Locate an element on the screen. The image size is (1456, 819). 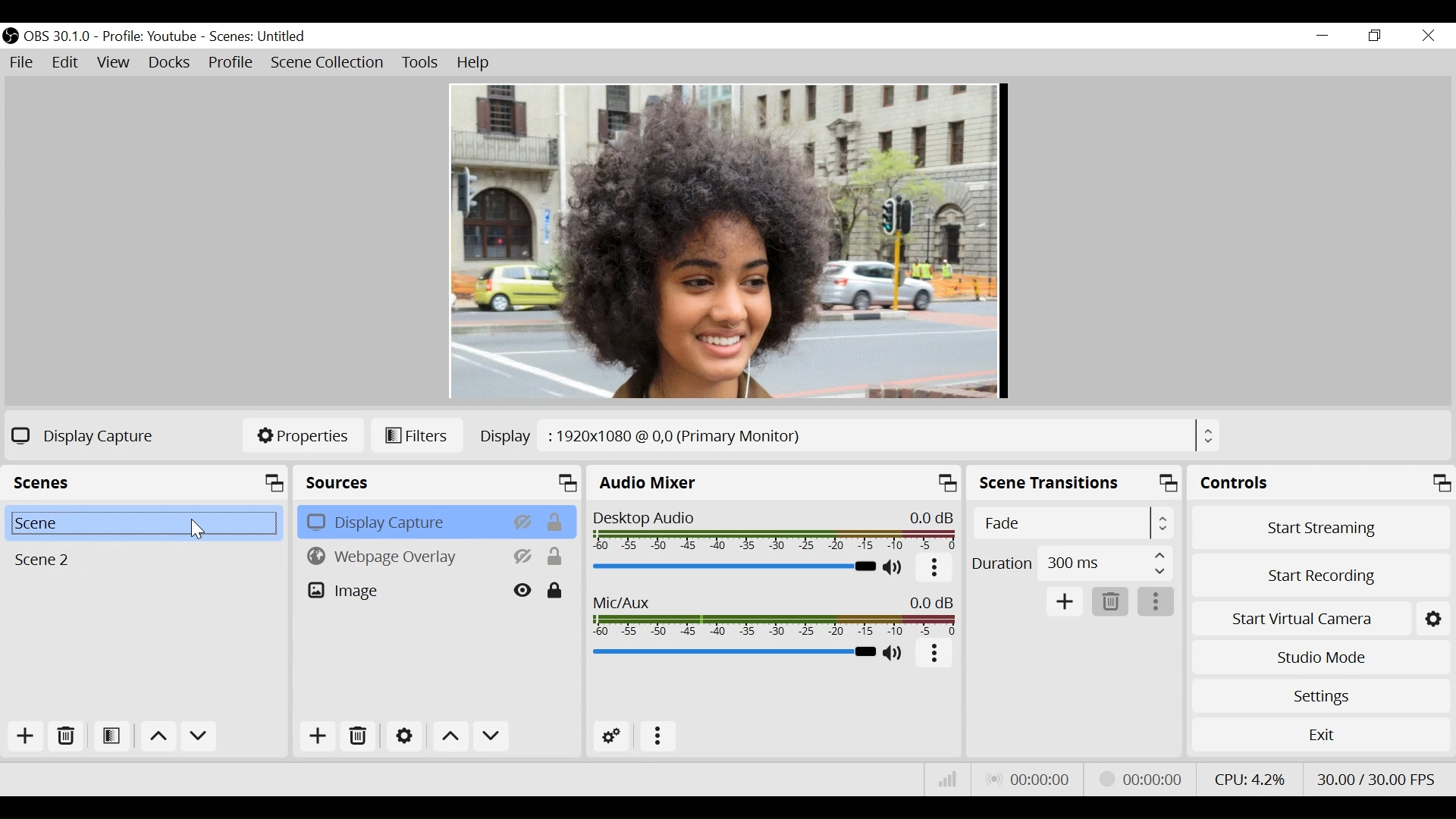
Add is located at coordinates (27, 736).